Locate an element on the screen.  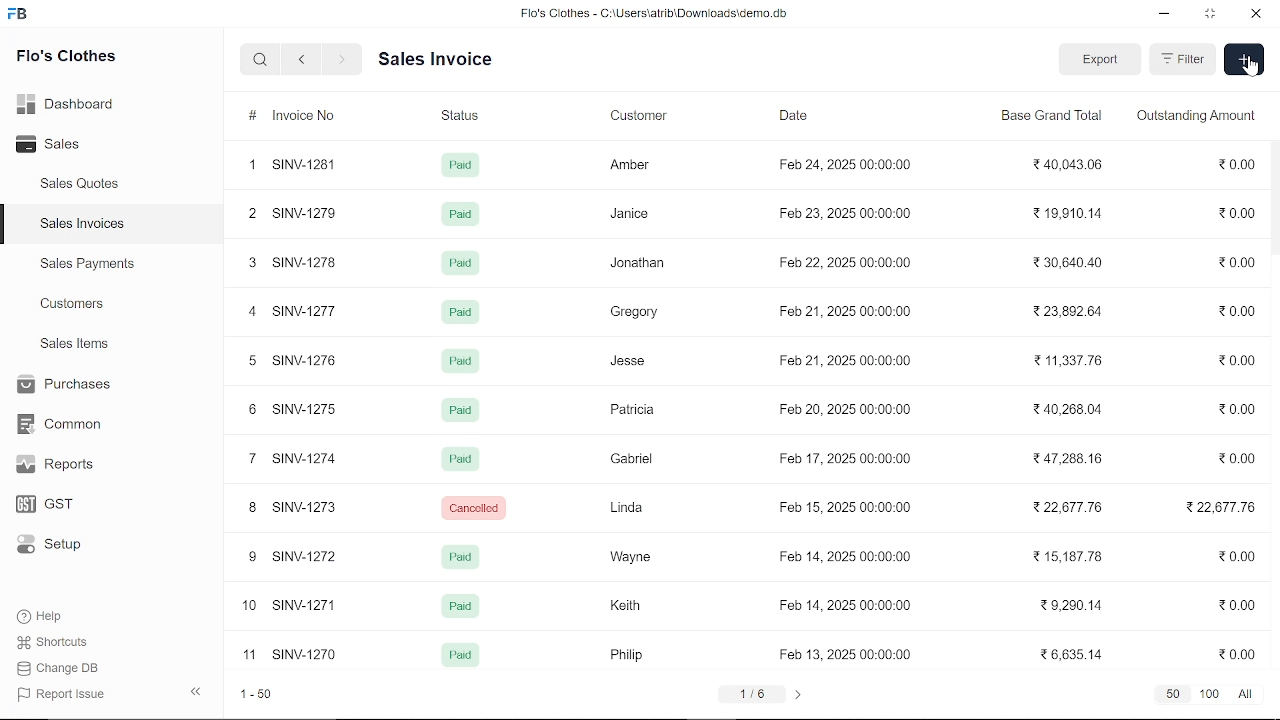
1-50 is located at coordinates (252, 694).